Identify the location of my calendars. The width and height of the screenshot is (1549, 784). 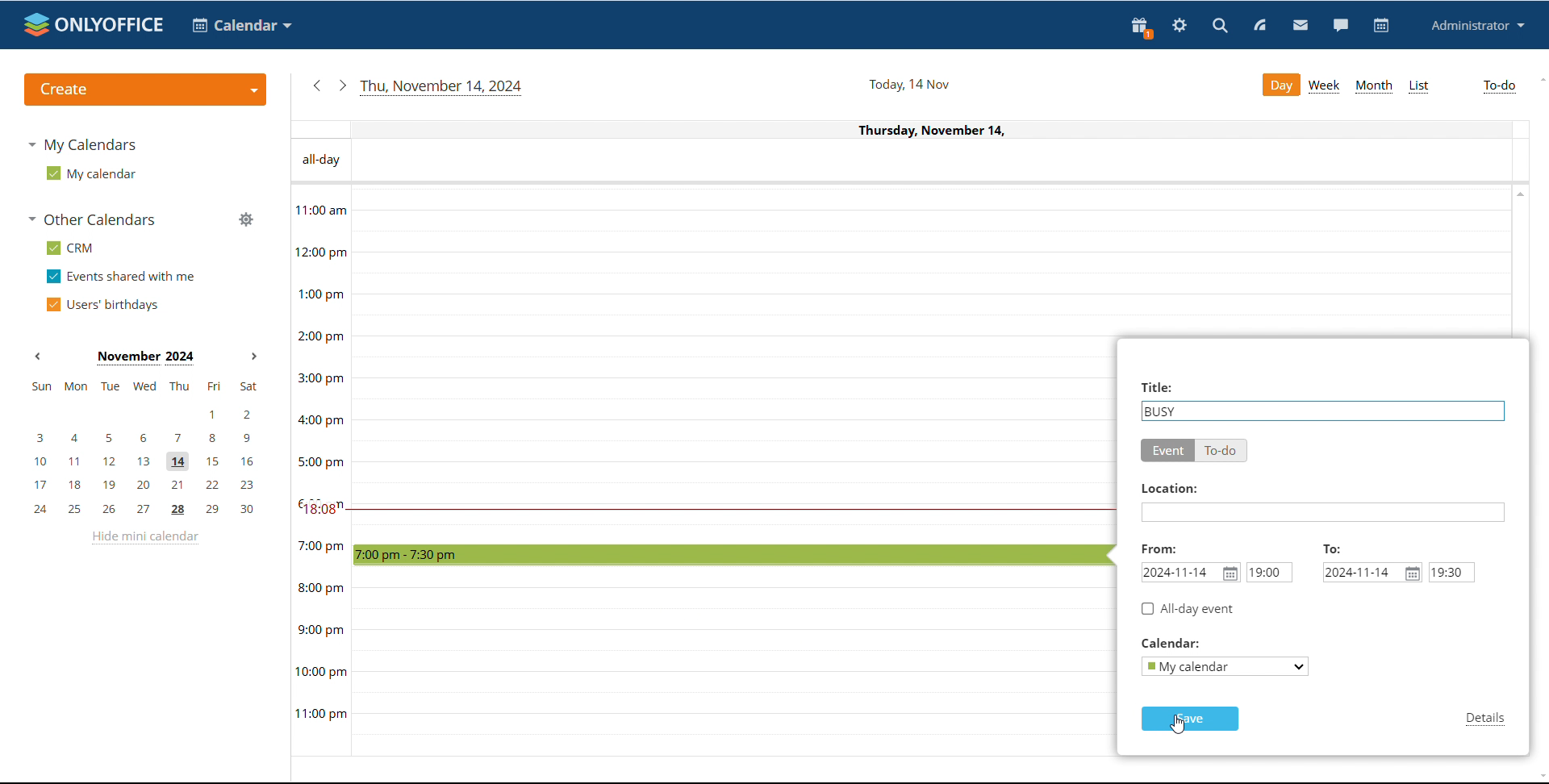
(82, 144).